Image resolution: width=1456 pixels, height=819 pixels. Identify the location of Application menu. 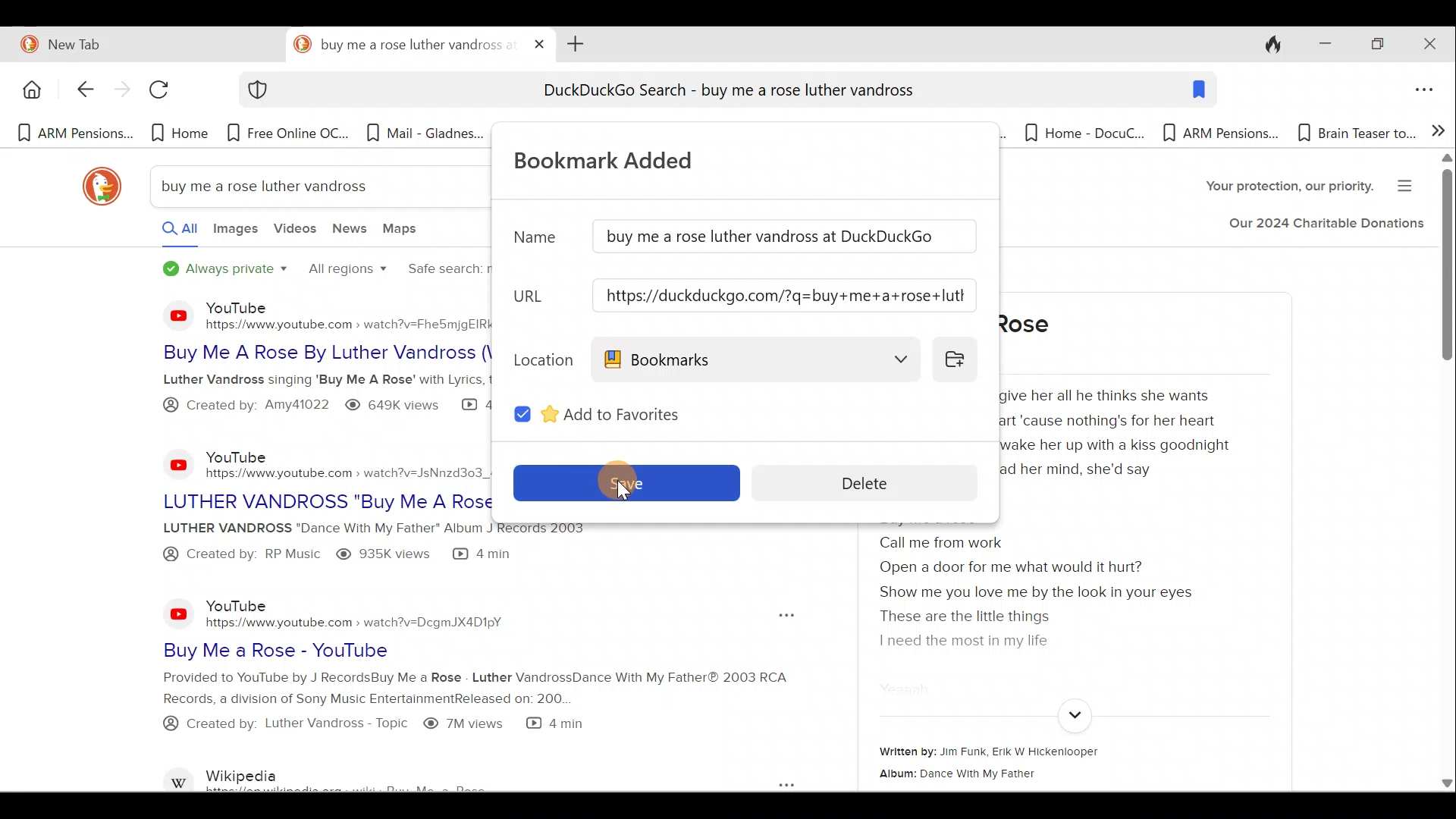
(1428, 91).